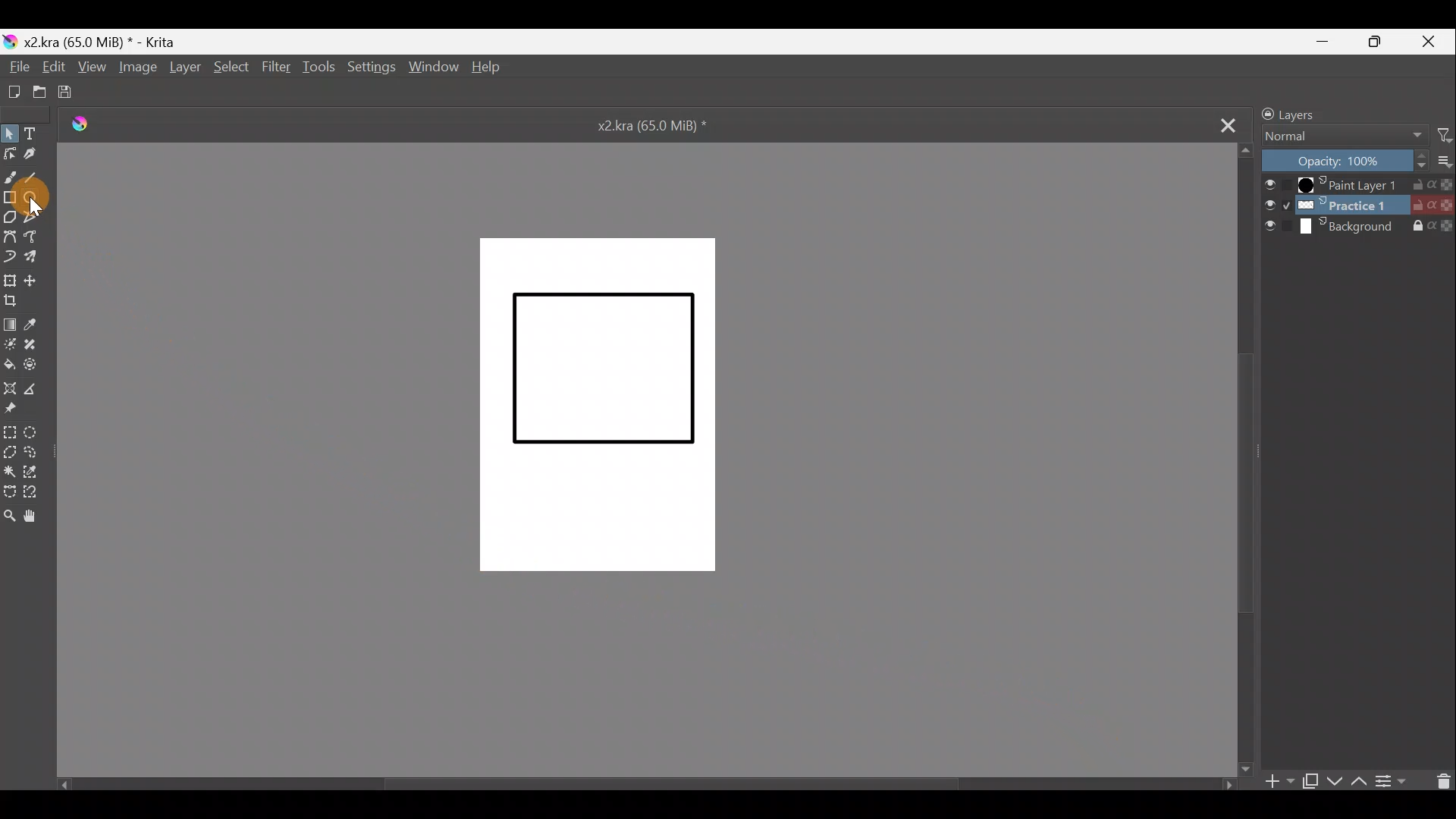 The image size is (1456, 819). I want to click on lock/unlock docker, so click(1263, 113).